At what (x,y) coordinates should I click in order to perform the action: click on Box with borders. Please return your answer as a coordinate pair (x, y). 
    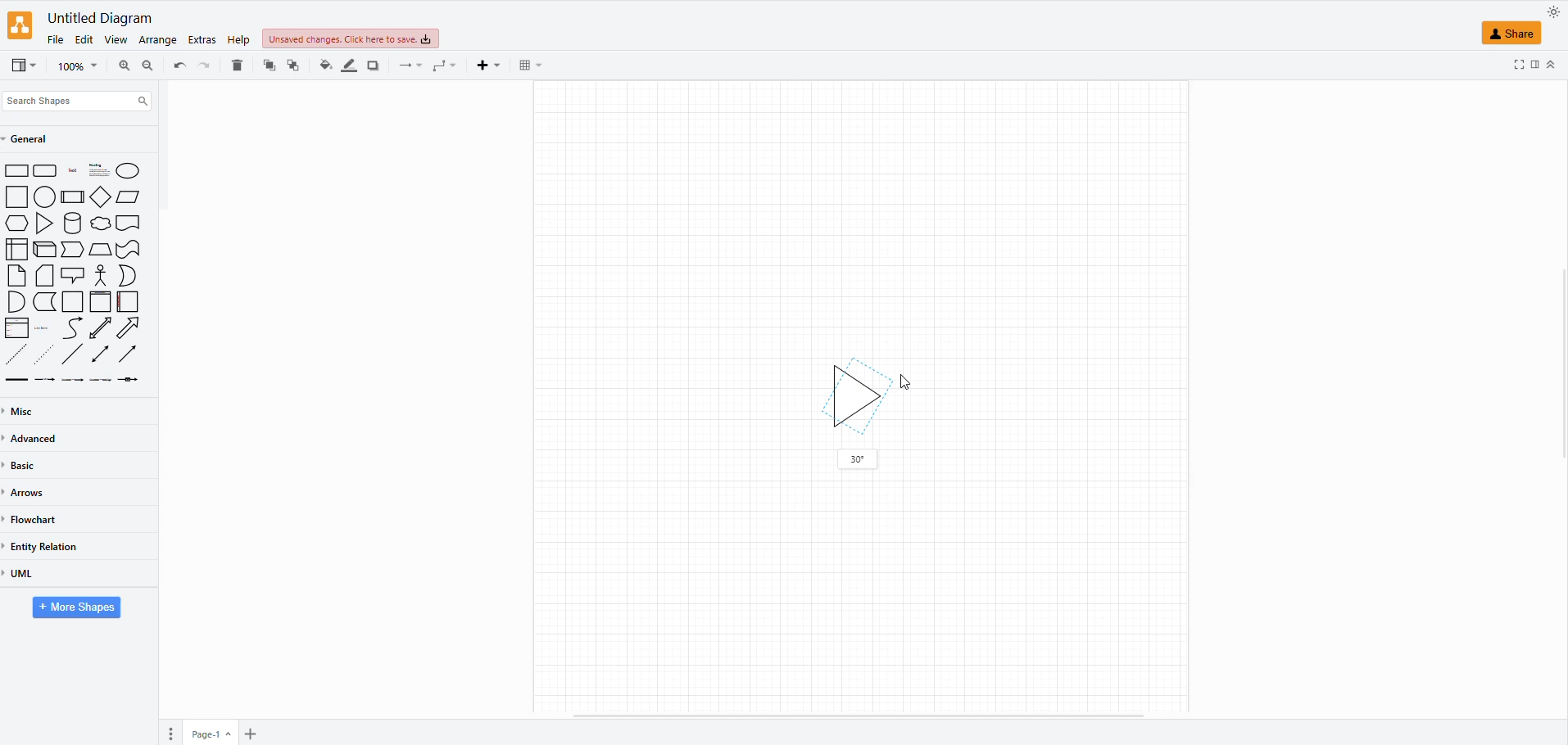
    Looking at the image, I should click on (74, 196).